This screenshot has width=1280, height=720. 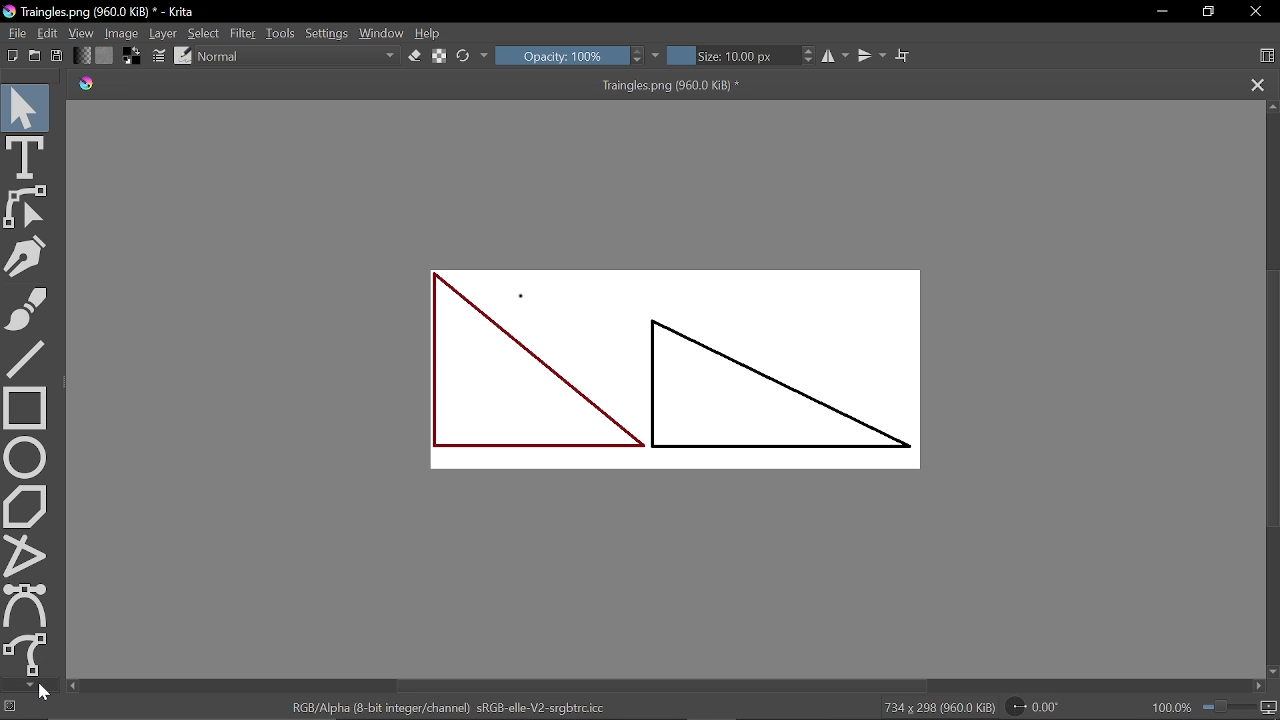 What do you see at coordinates (37, 55) in the screenshot?
I see `Open document` at bounding box center [37, 55].